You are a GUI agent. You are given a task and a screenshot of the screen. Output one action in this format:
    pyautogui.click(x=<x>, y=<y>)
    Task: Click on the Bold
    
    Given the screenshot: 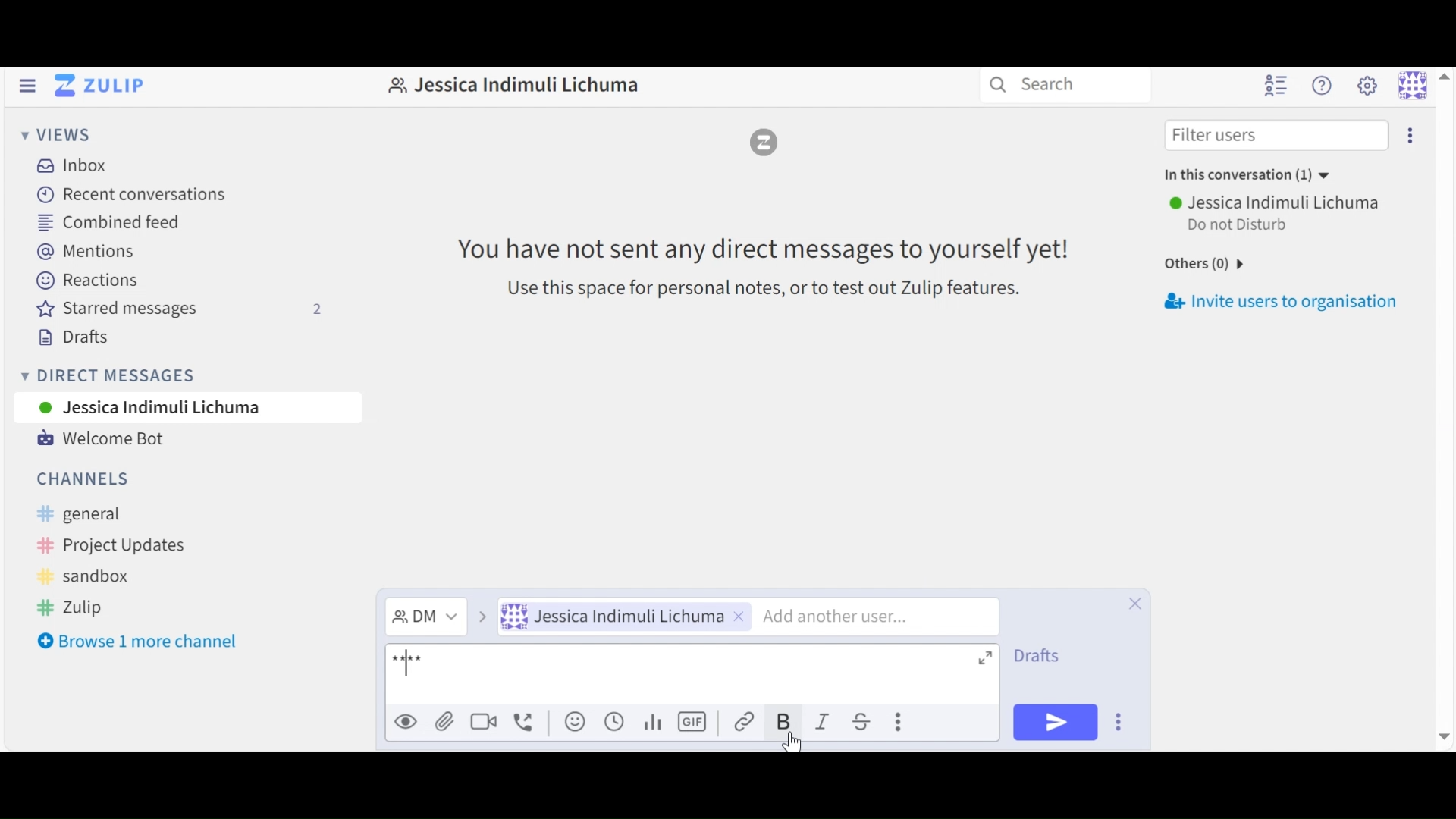 What is the action you would take?
    pyautogui.click(x=786, y=721)
    